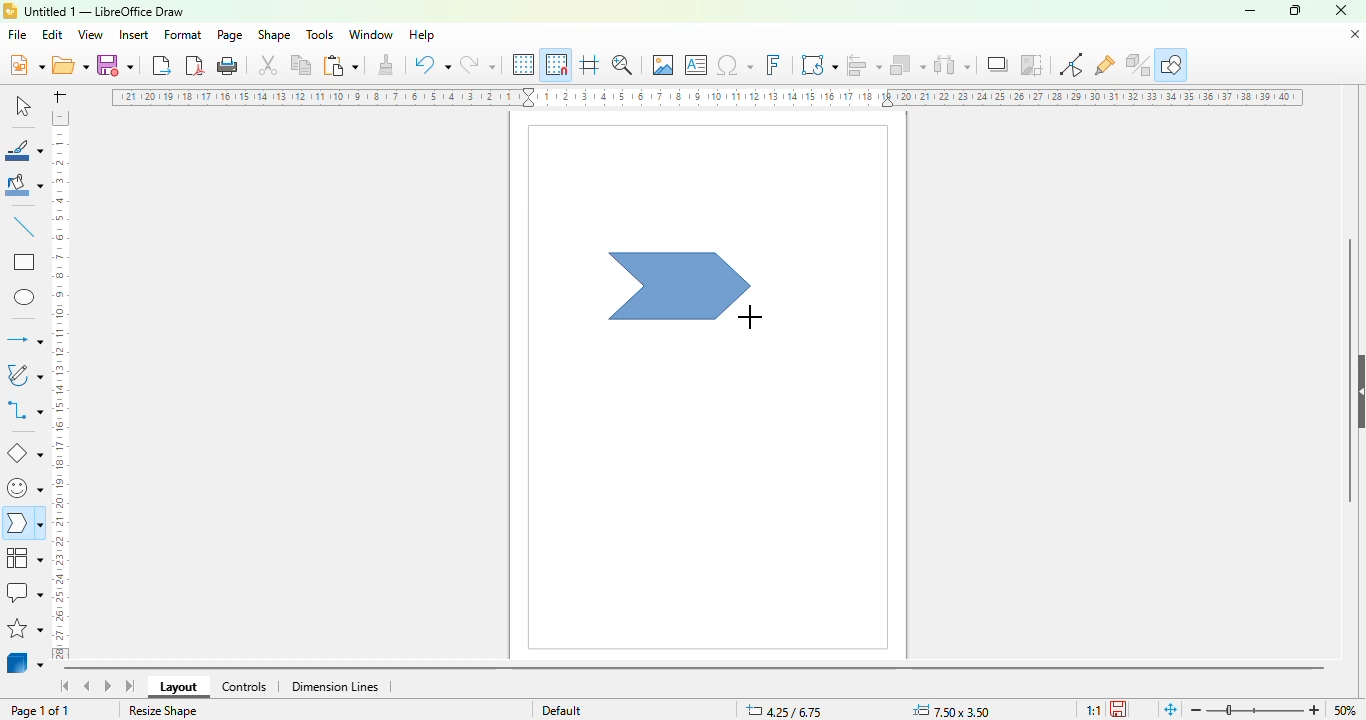  What do you see at coordinates (274, 34) in the screenshot?
I see `shape` at bounding box center [274, 34].